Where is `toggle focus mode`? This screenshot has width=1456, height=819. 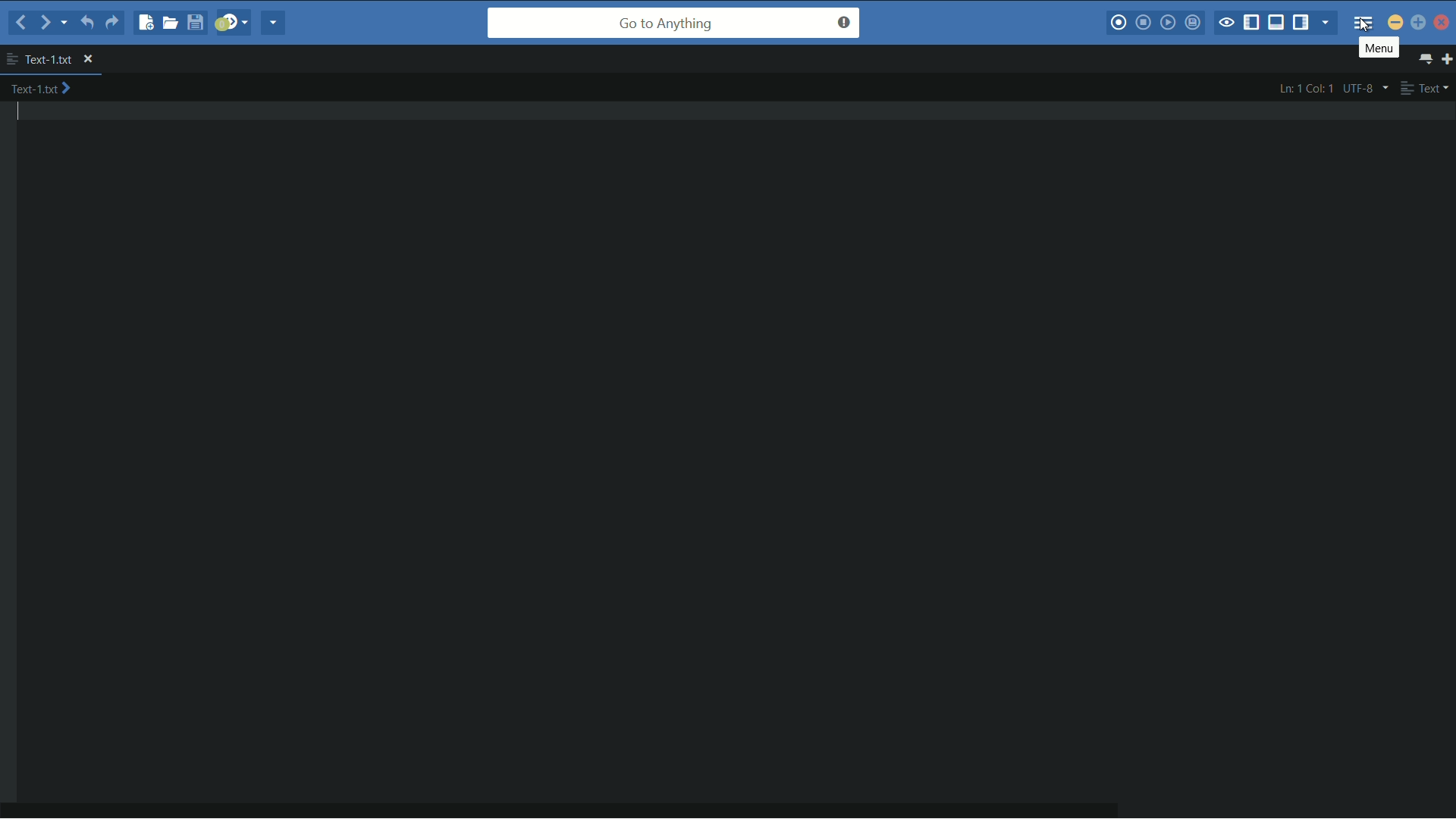 toggle focus mode is located at coordinates (1226, 23).